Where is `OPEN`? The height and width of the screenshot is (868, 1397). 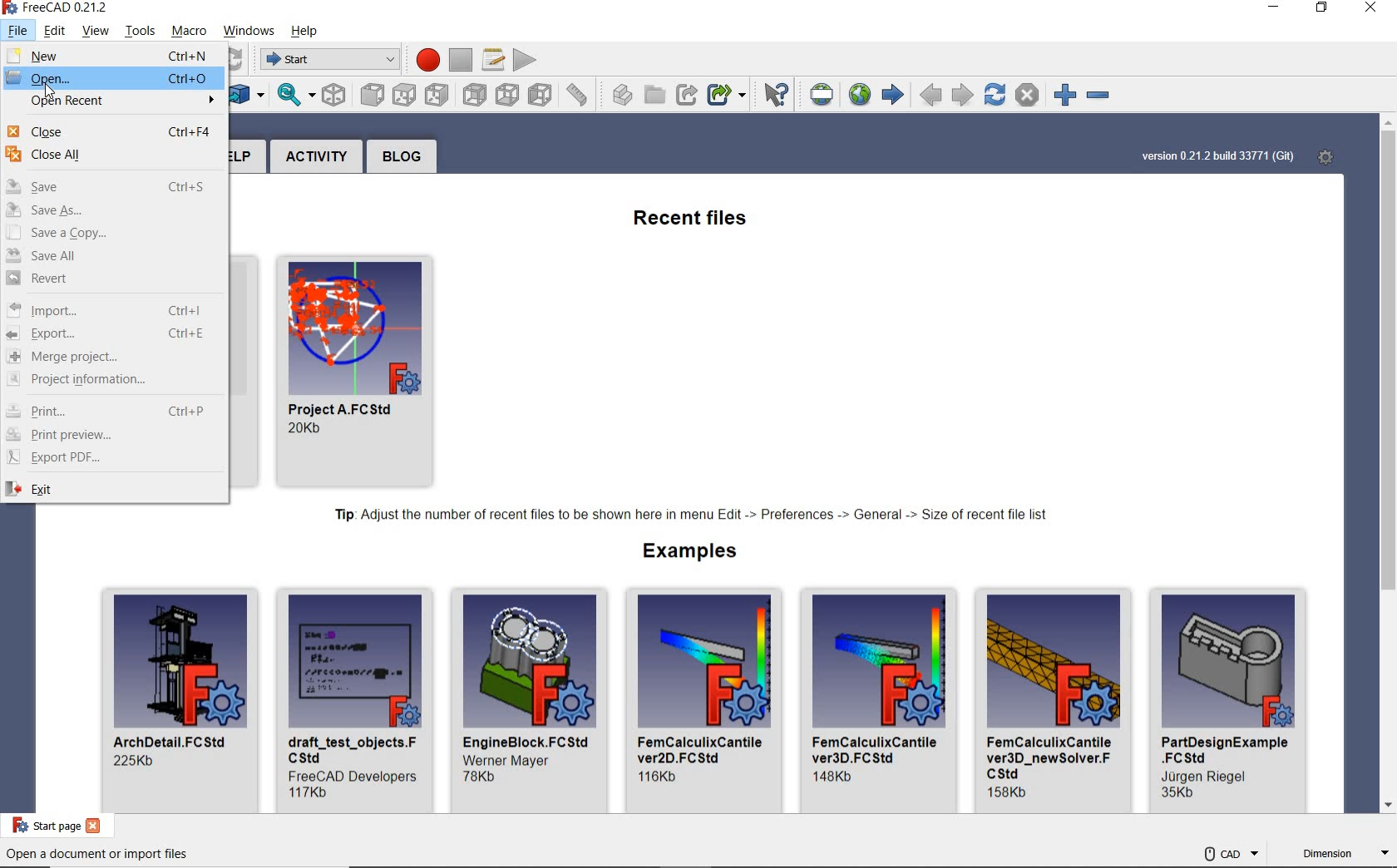 OPEN is located at coordinates (64, 80).